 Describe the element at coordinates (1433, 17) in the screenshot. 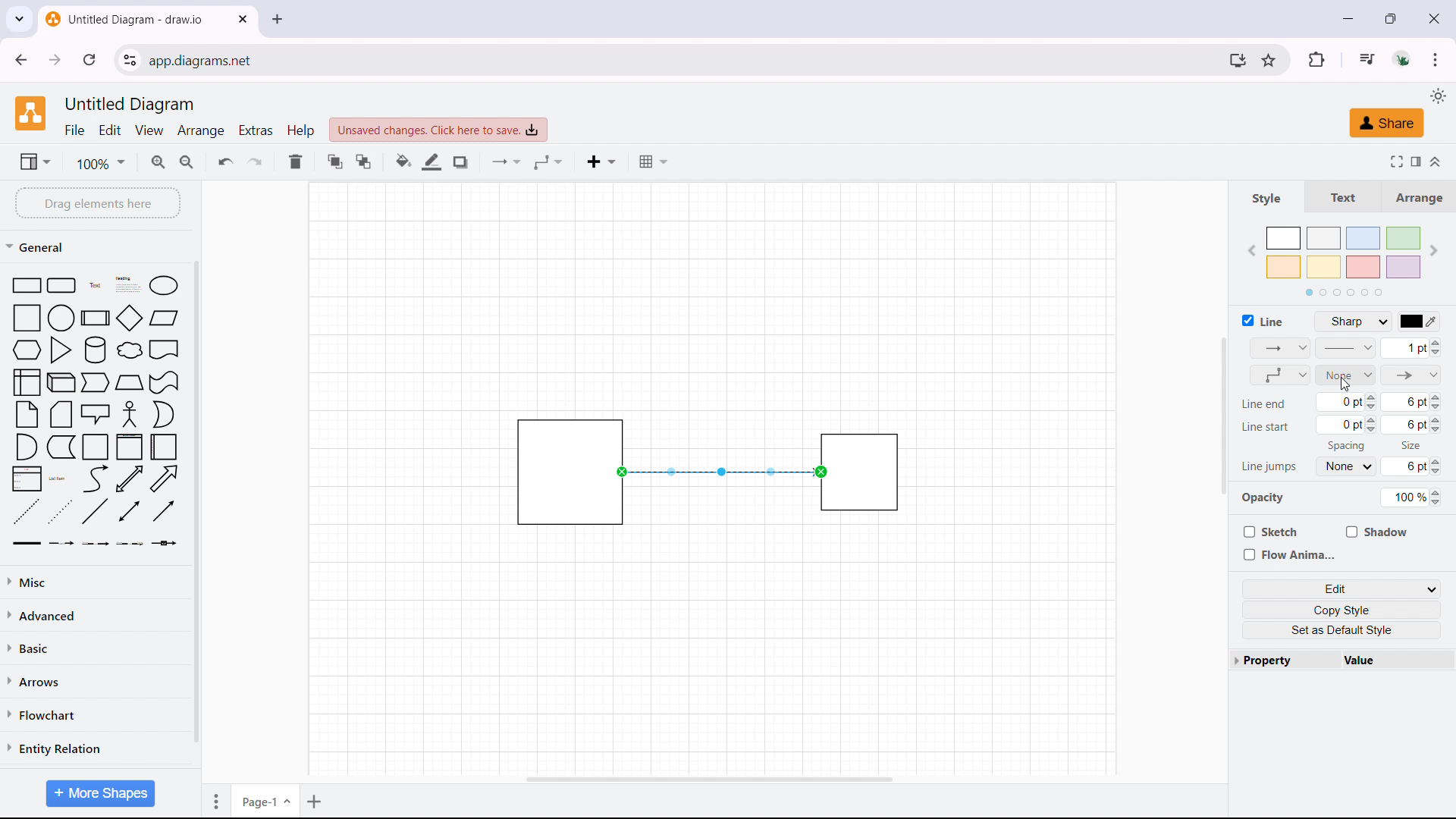

I see `close` at that location.